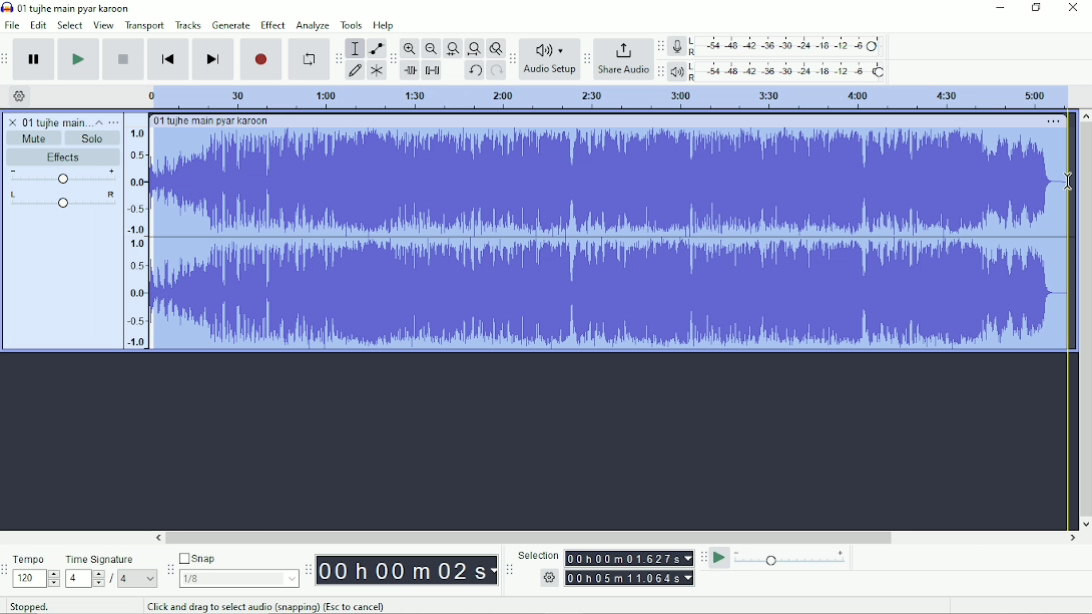 This screenshot has height=614, width=1092. Describe the element at coordinates (375, 70) in the screenshot. I see `Multi-tool` at that location.